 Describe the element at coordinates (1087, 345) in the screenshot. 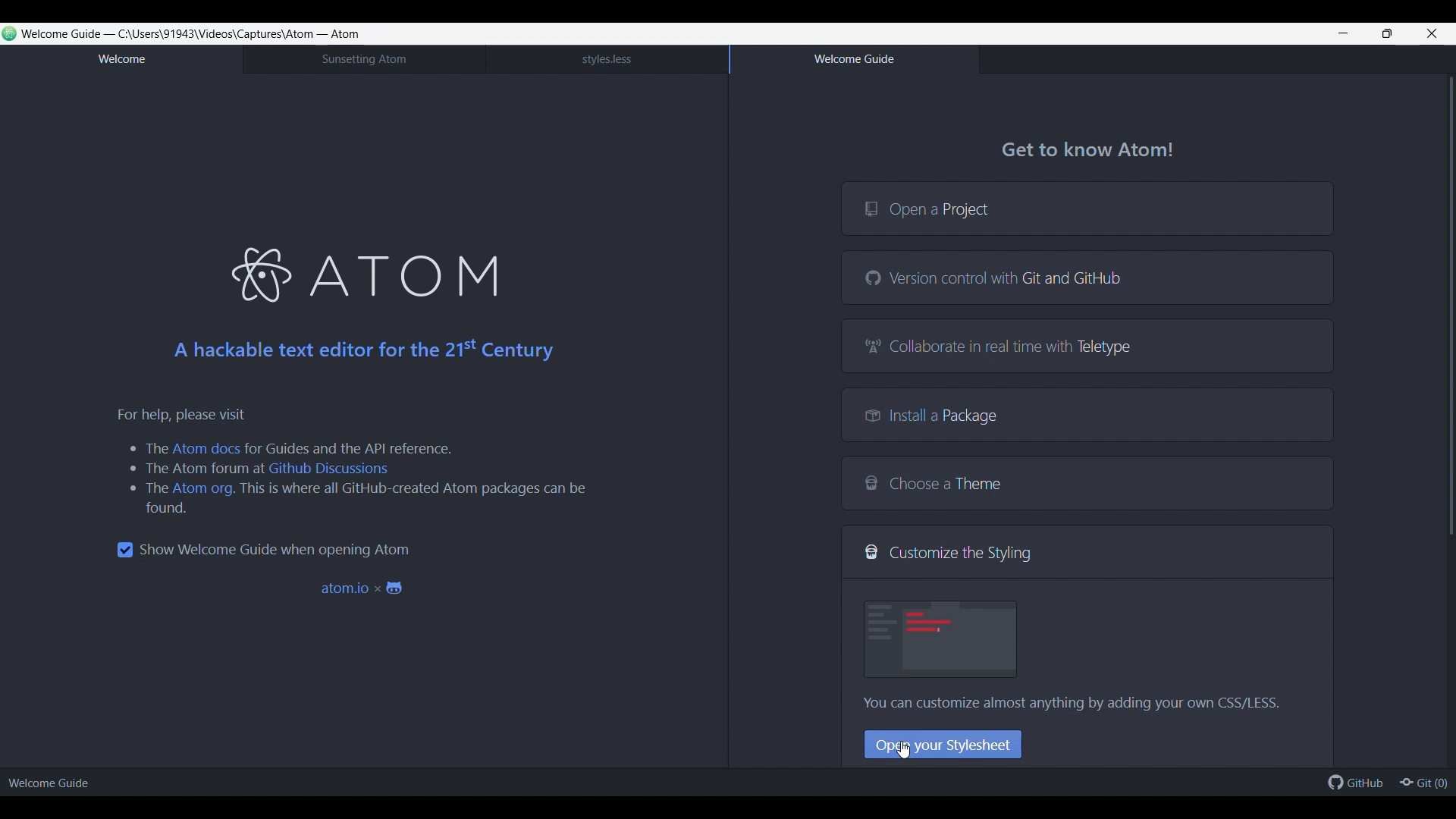

I see `Collaborate in real time with Teletype` at that location.